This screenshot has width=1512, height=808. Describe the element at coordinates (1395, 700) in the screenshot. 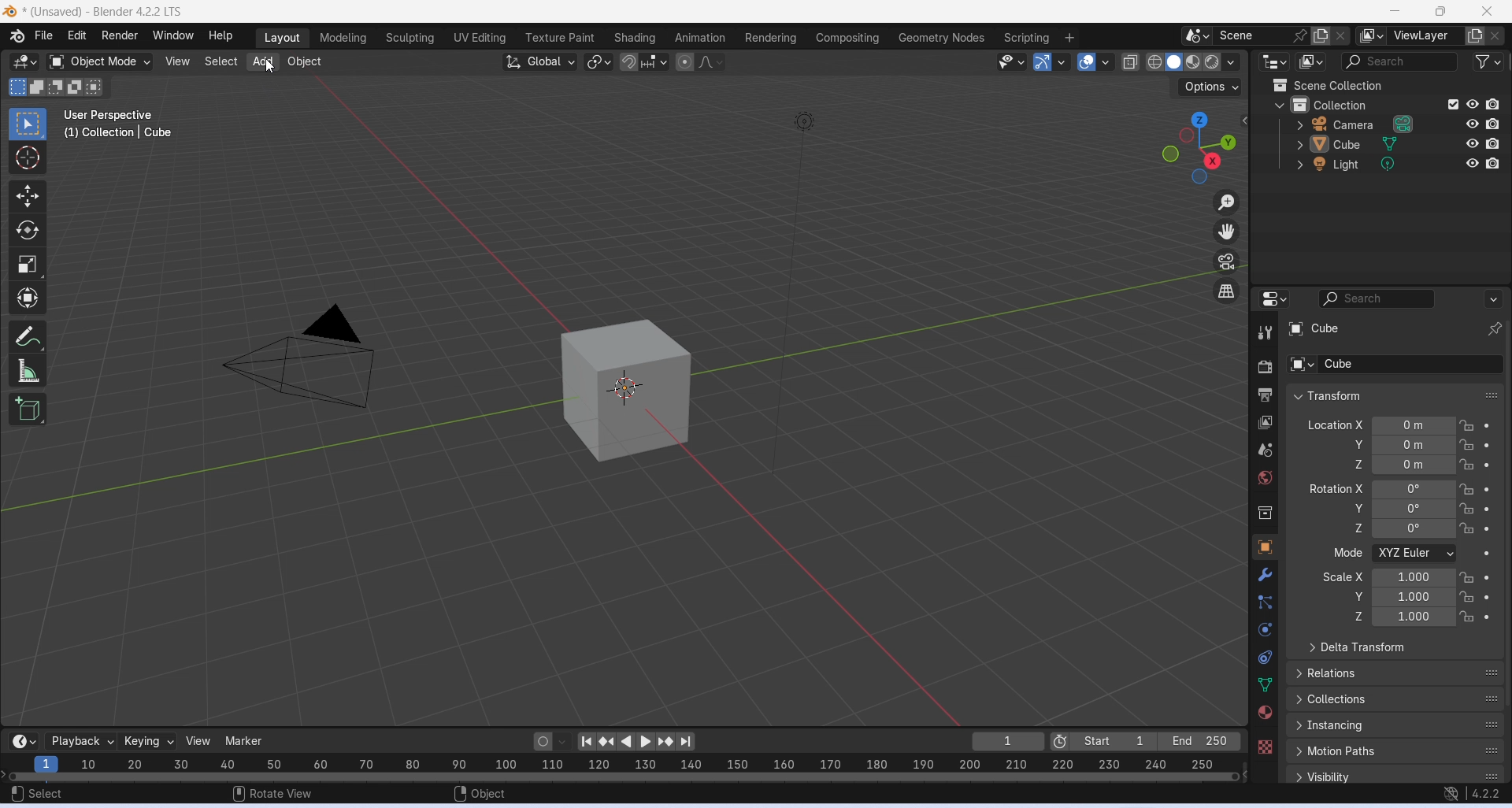

I see `collections` at that location.